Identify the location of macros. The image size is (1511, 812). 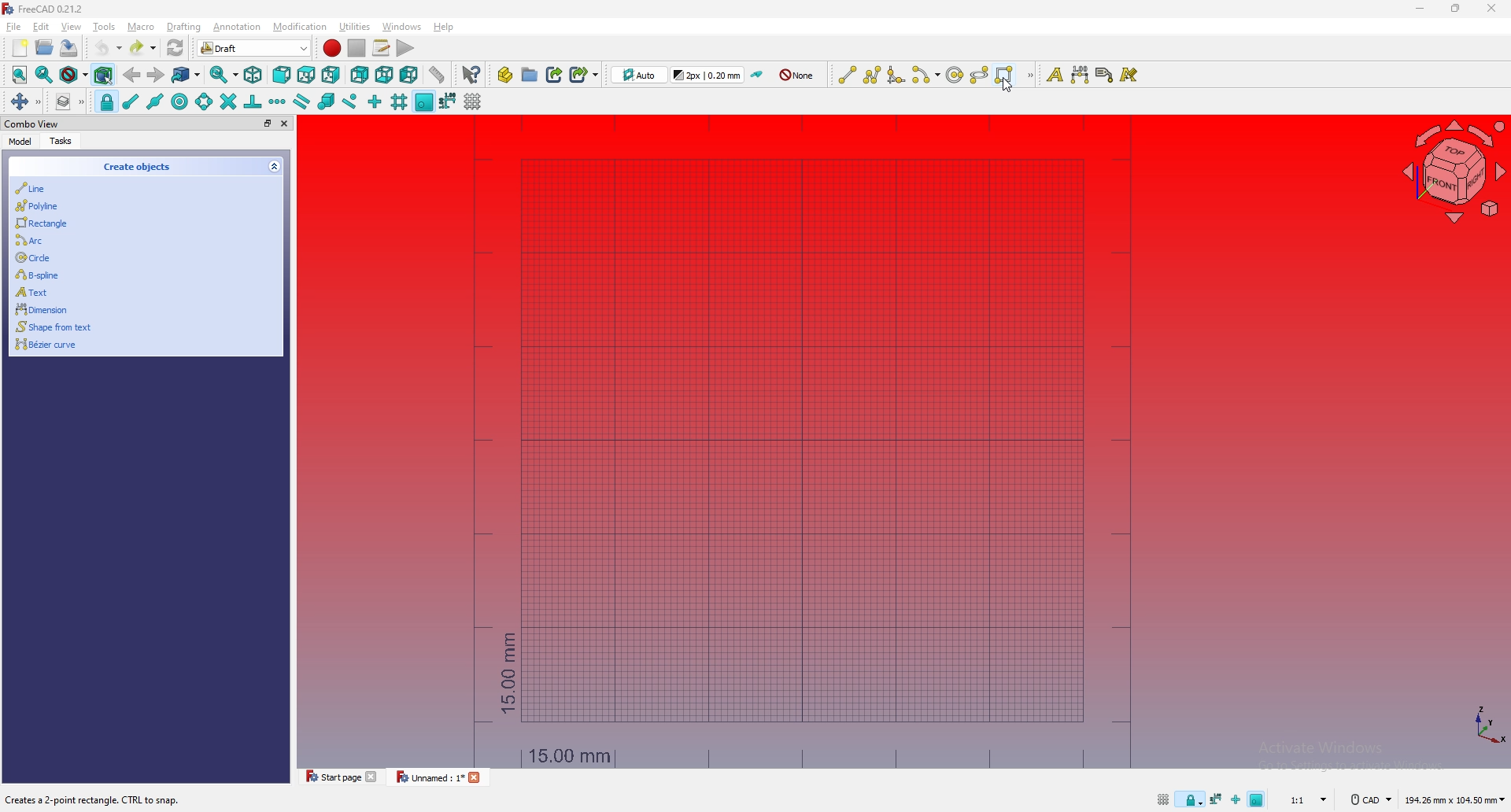
(382, 48).